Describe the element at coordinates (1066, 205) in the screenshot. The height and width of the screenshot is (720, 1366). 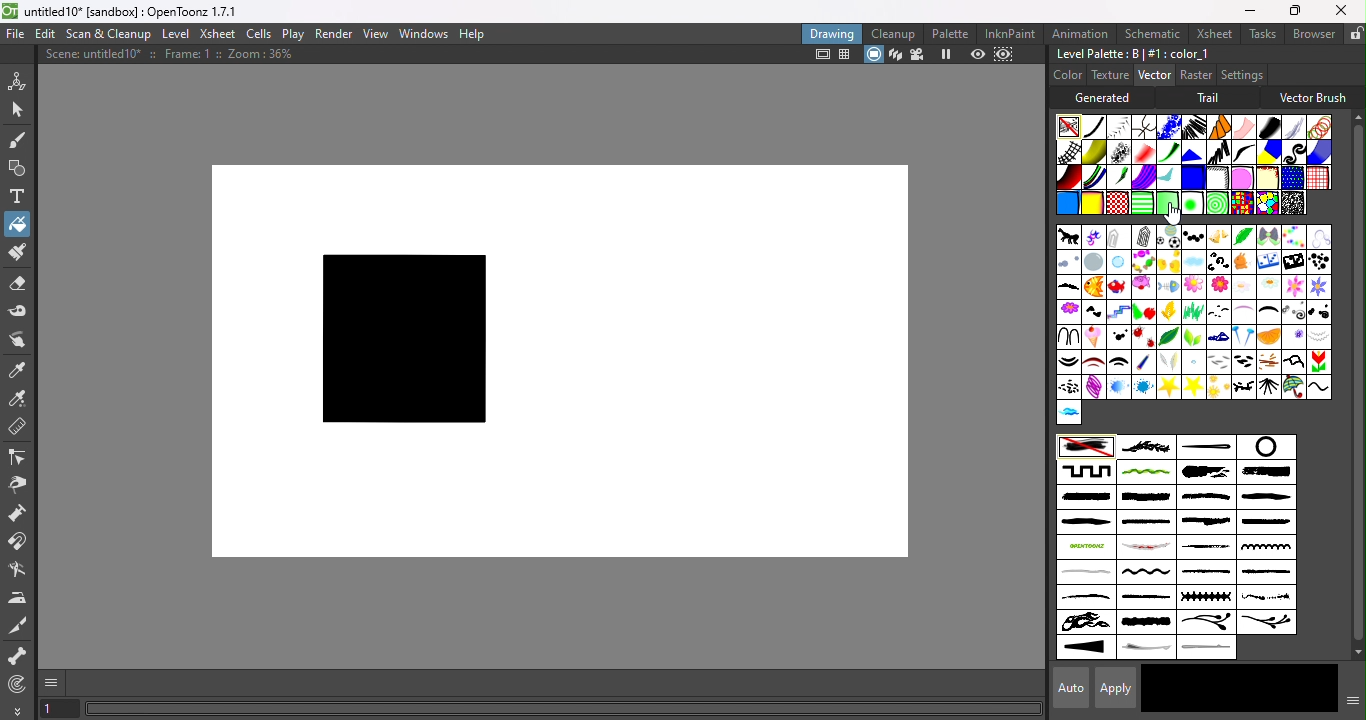
I see `Irregular` at that location.